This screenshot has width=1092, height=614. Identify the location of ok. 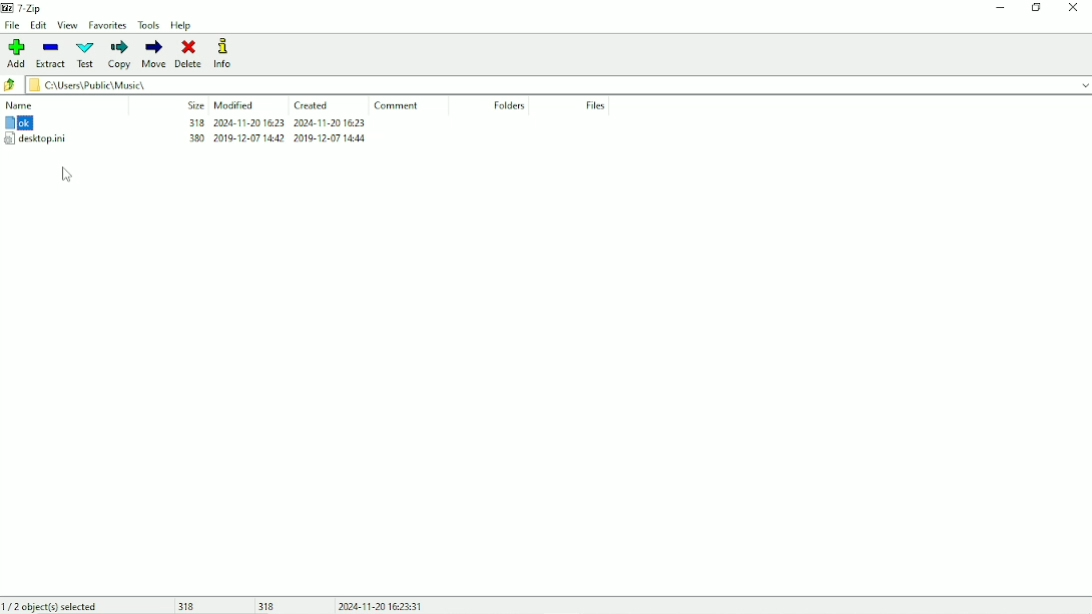
(20, 122).